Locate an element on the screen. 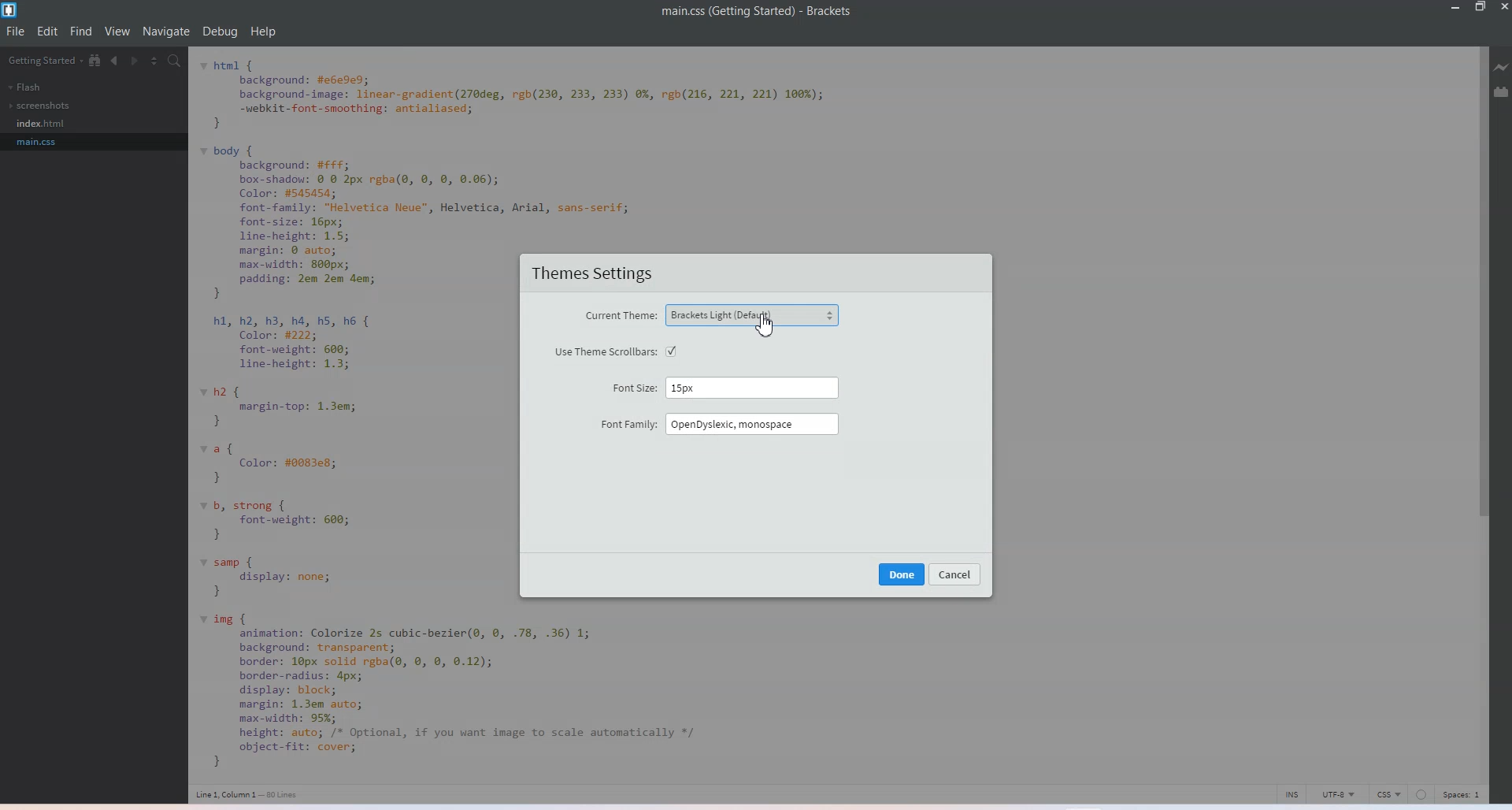 This screenshot has height=810, width=1512. Font Size is located at coordinates (726, 387).